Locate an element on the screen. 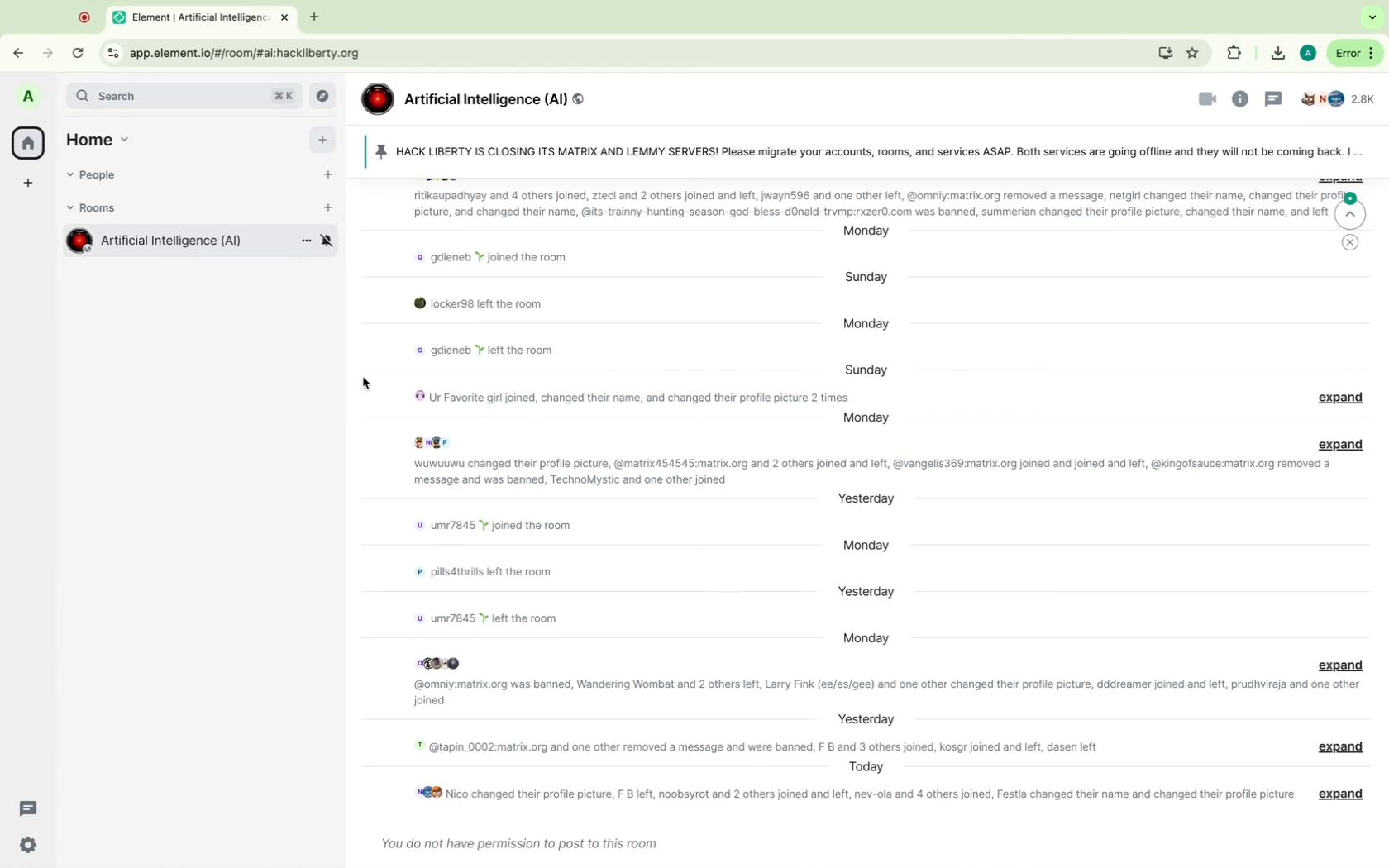 The image size is (1389, 868). threads is located at coordinates (27, 807).